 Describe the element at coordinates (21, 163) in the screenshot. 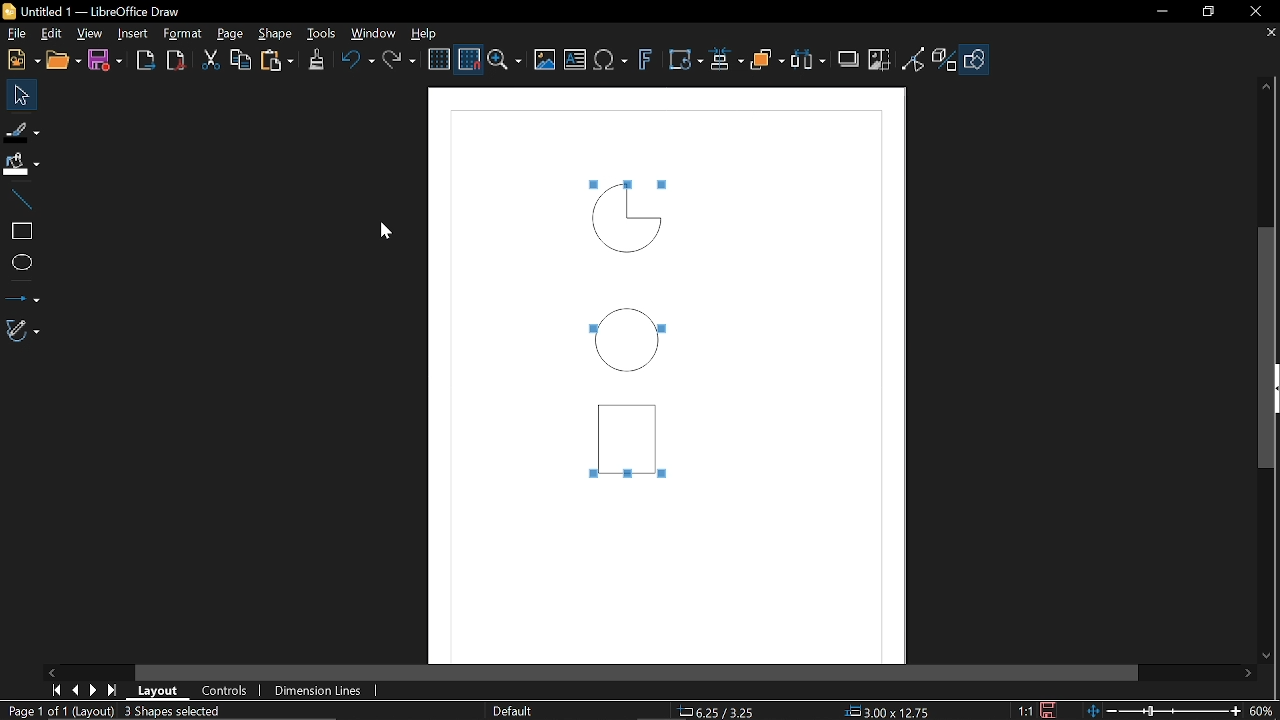

I see `Fill color` at that location.